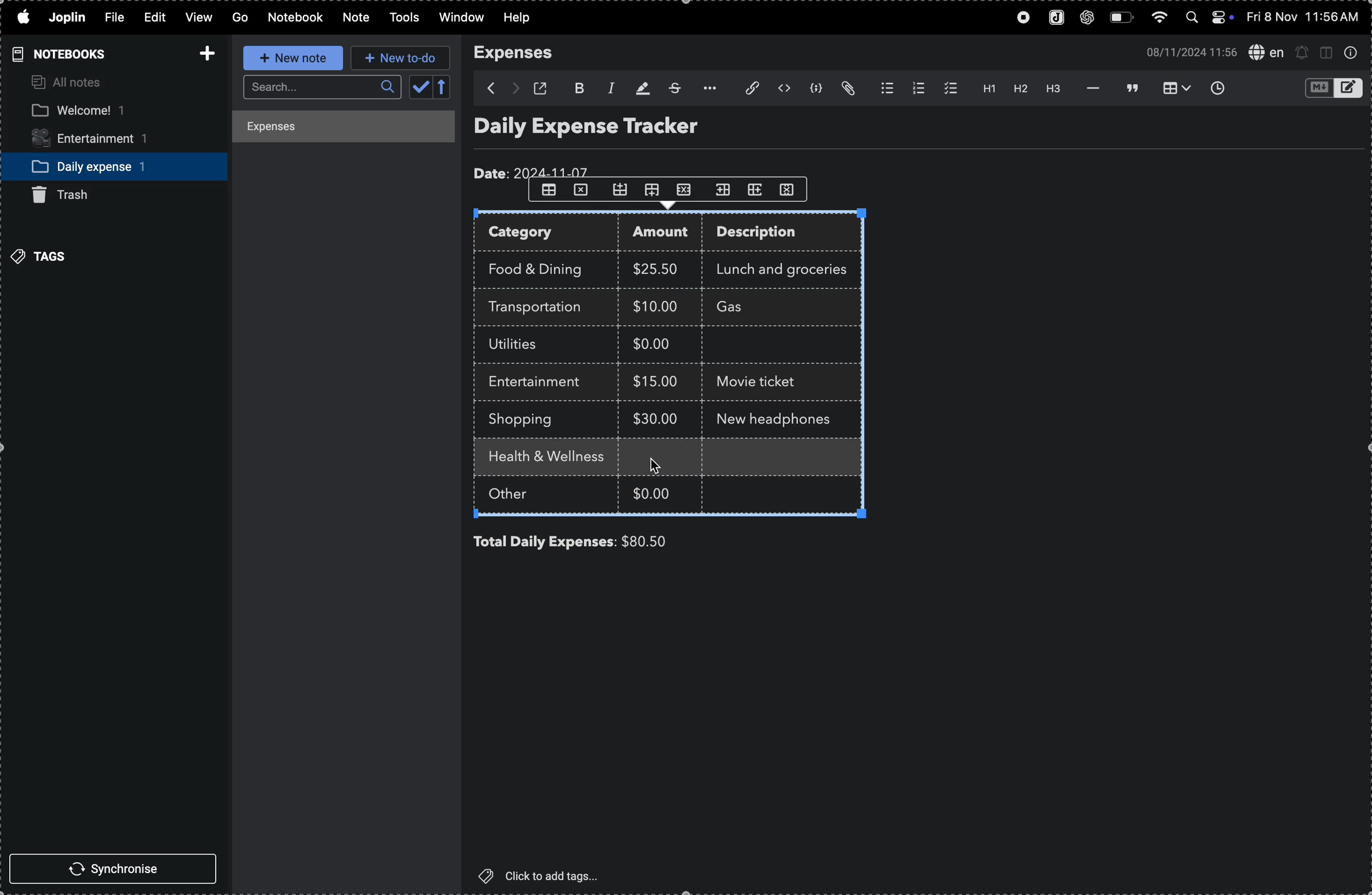 The width and height of the screenshot is (1372, 895). What do you see at coordinates (673, 88) in the screenshot?
I see `strike through` at bounding box center [673, 88].